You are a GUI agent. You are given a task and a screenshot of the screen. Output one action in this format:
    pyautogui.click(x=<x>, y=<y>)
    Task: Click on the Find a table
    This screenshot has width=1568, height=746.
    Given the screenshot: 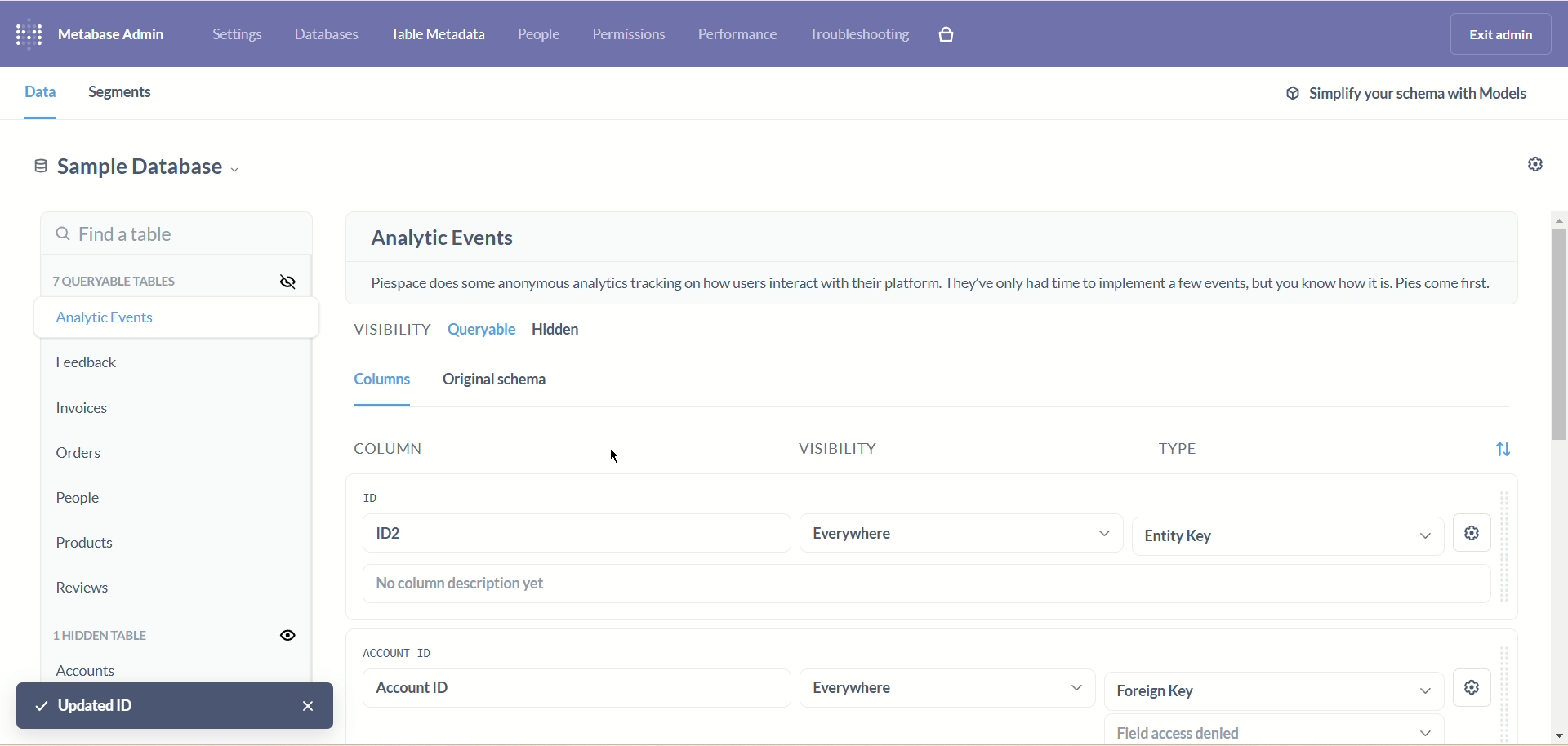 What is the action you would take?
    pyautogui.click(x=171, y=233)
    